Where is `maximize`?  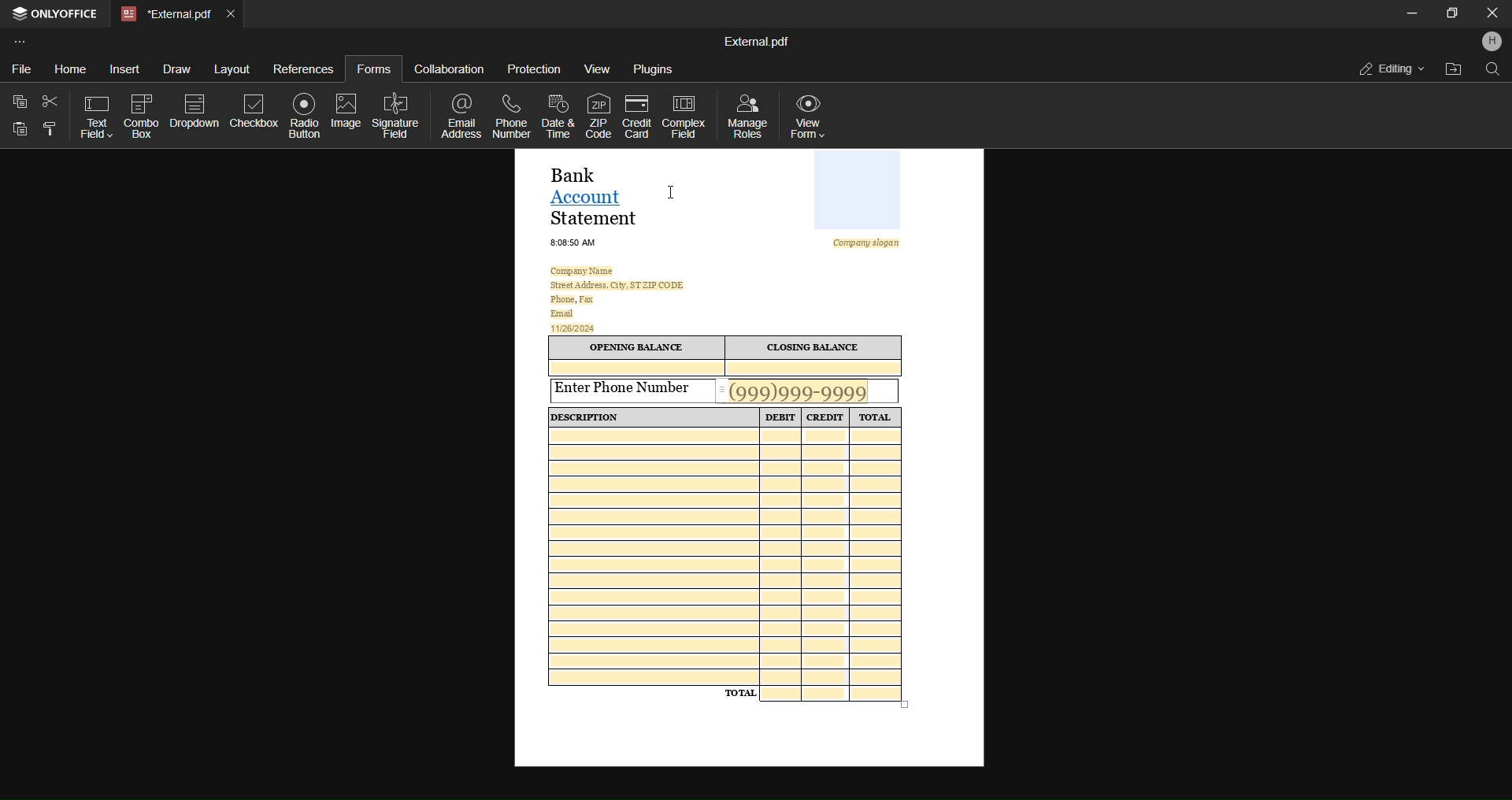 maximize is located at coordinates (1448, 15).